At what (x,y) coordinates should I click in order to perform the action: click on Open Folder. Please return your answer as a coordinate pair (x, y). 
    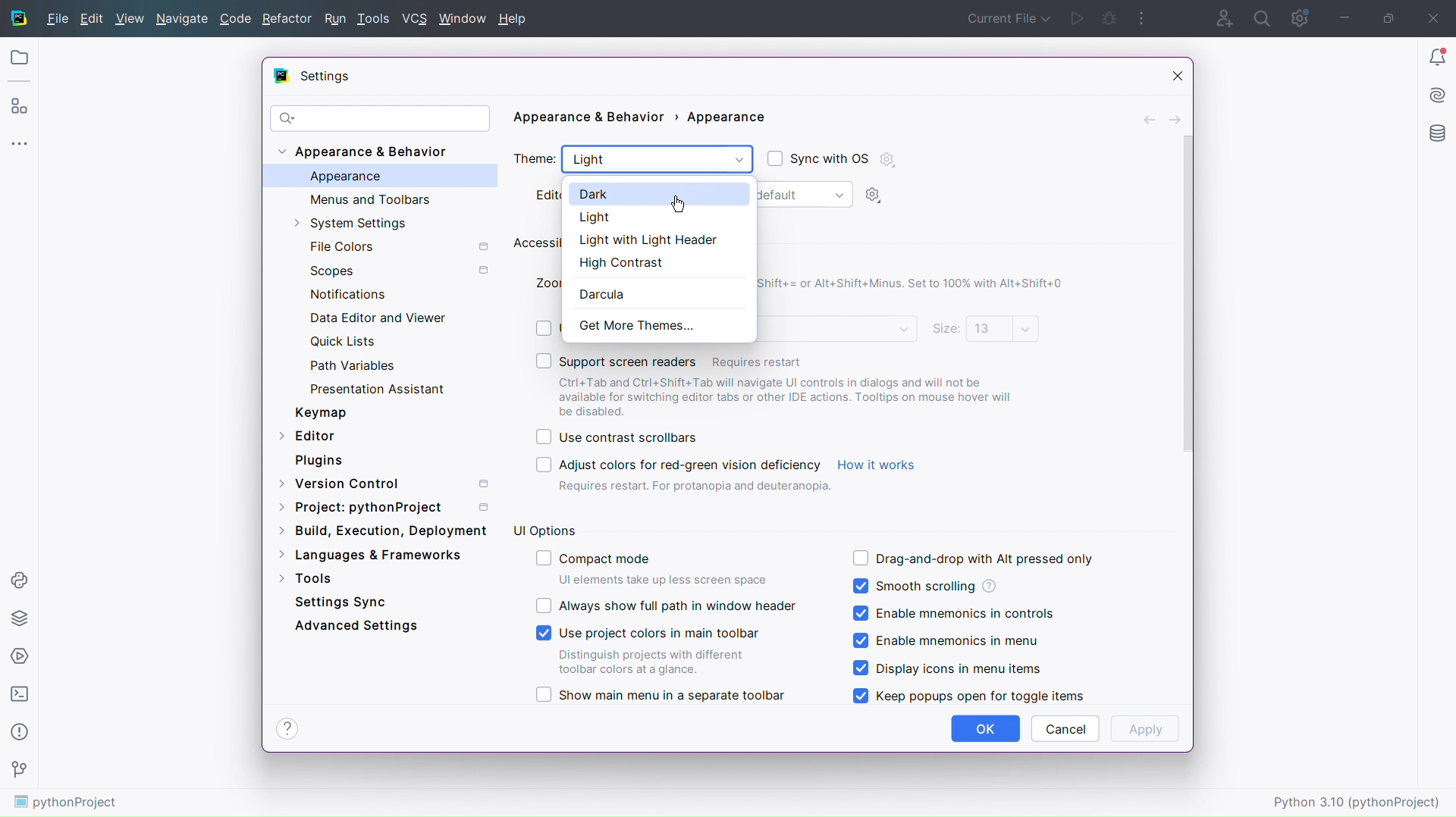
    Looking at the image, I should click on (18, 58).